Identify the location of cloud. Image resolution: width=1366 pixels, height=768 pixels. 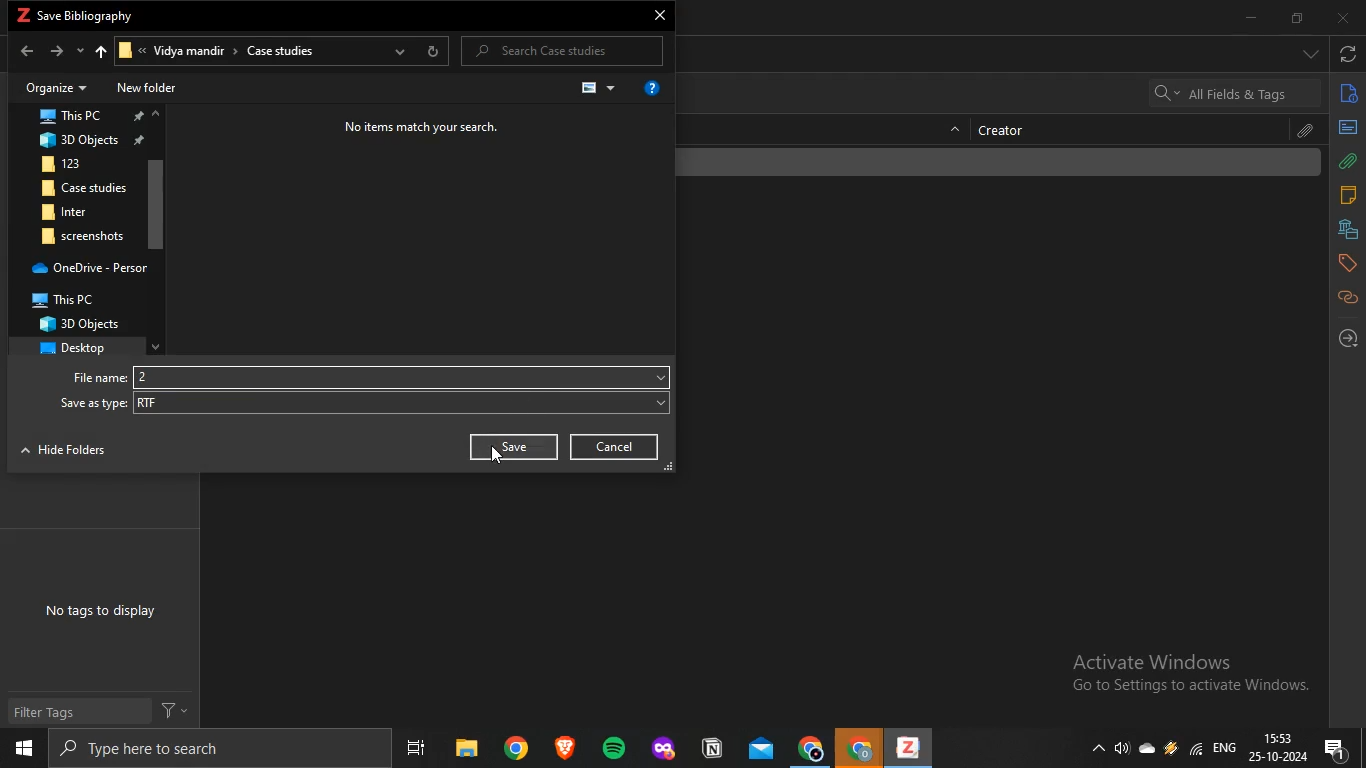
(1150, 746).